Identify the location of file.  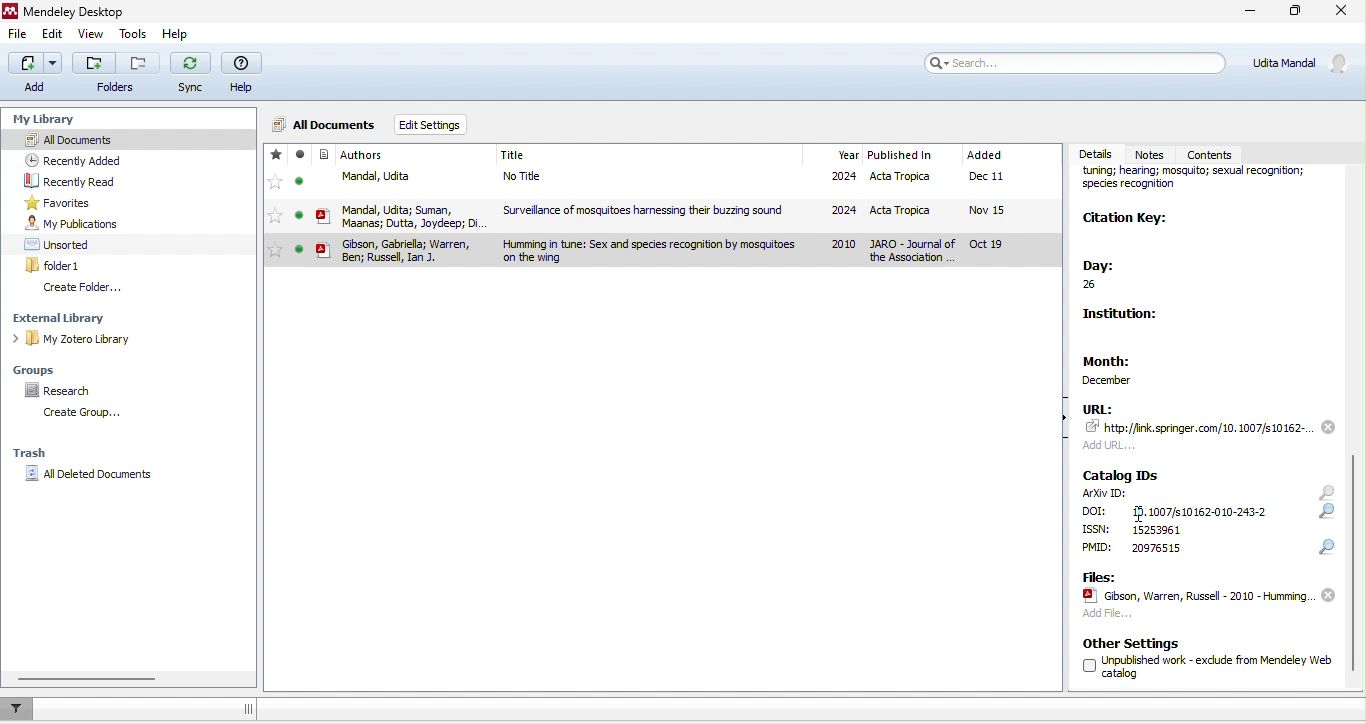
(1196, 596).